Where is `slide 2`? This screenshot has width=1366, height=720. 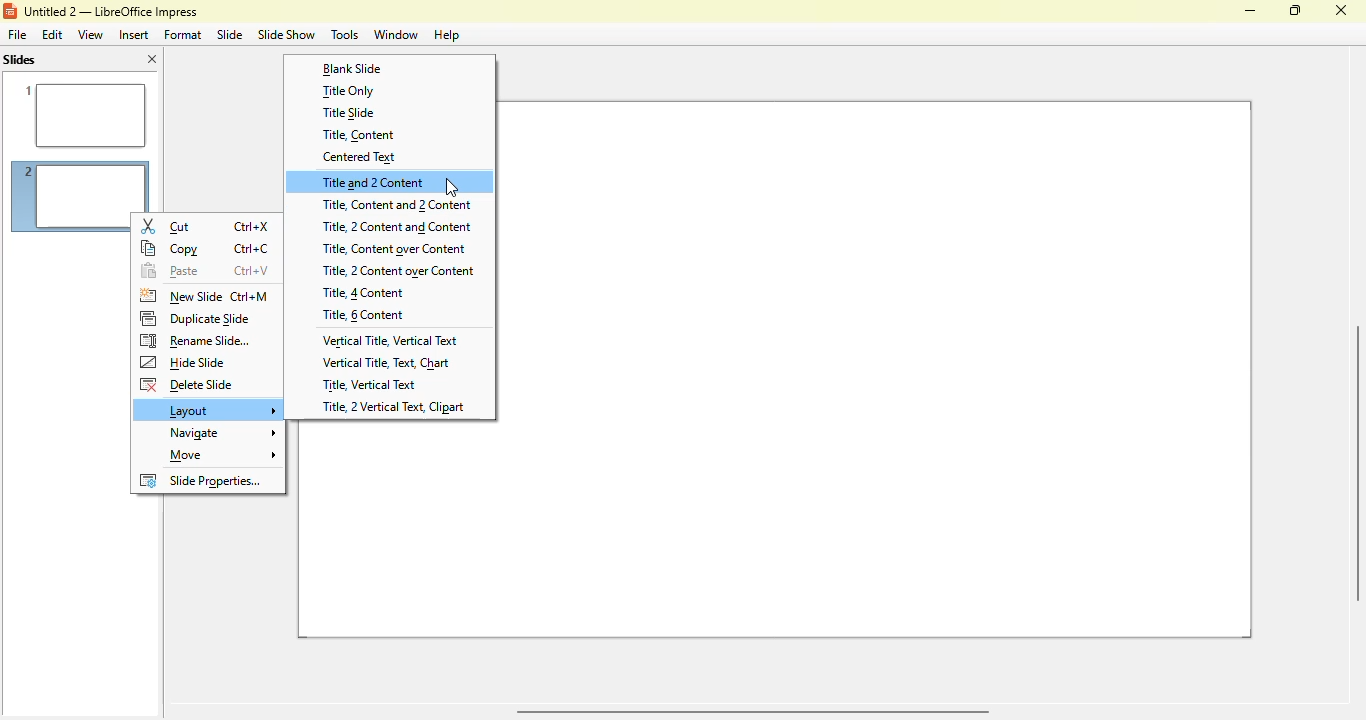 slide 2 is located at coordinates (877, 371).